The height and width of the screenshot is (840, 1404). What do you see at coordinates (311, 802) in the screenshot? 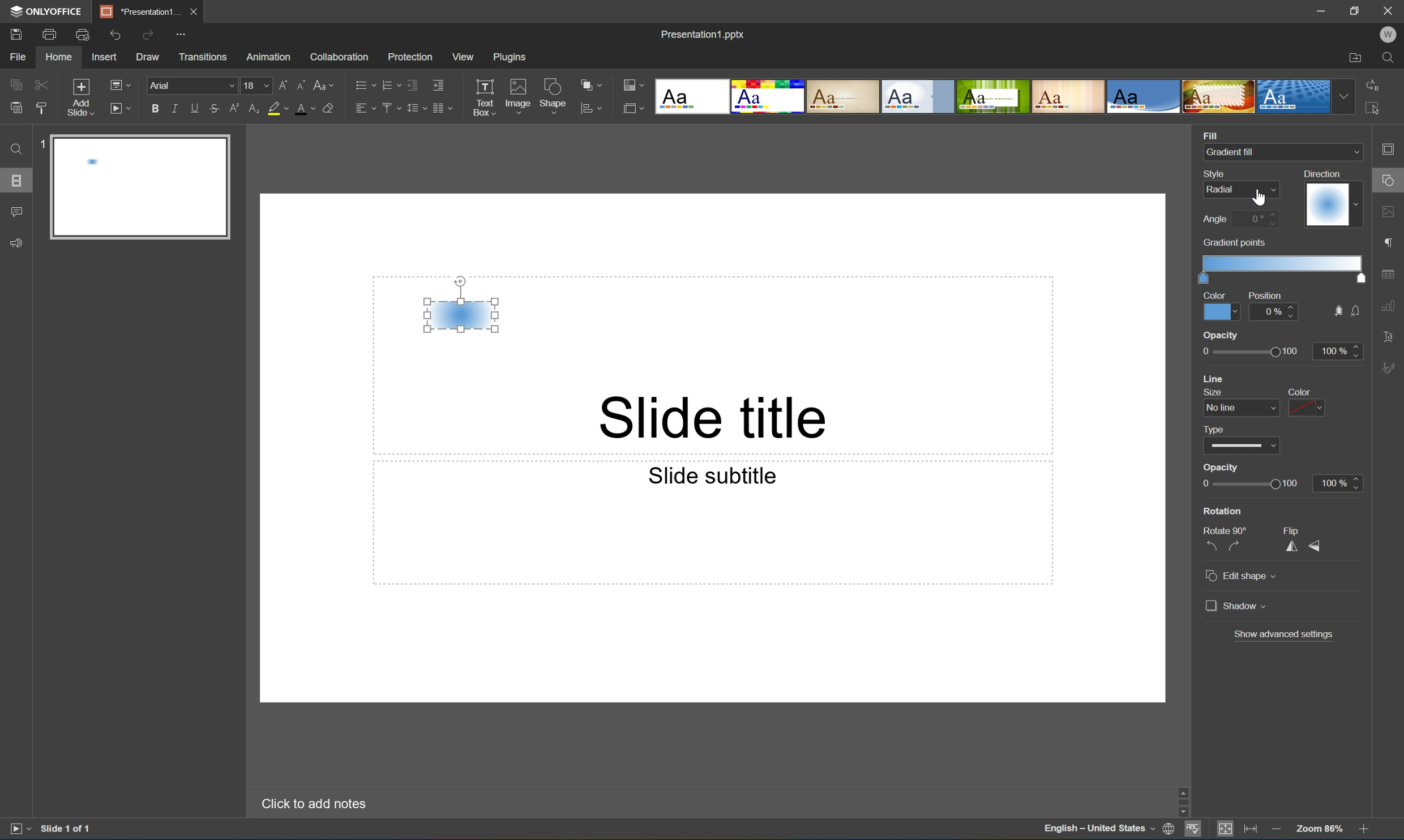
I see `Click to add notes` at bounding box center [311, 802].